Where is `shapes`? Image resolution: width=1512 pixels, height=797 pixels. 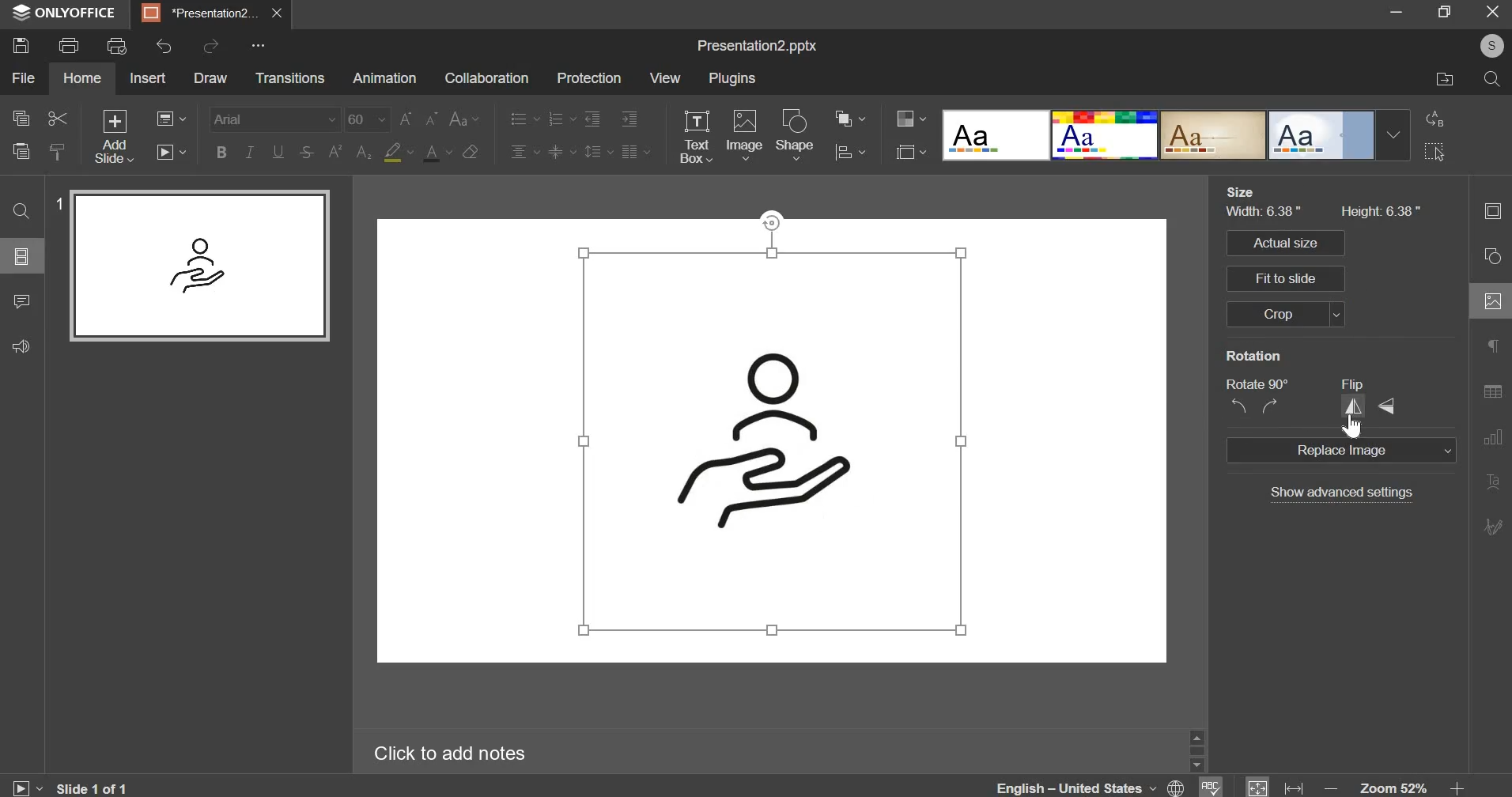
shapes is located at coordinates (1491, 259).